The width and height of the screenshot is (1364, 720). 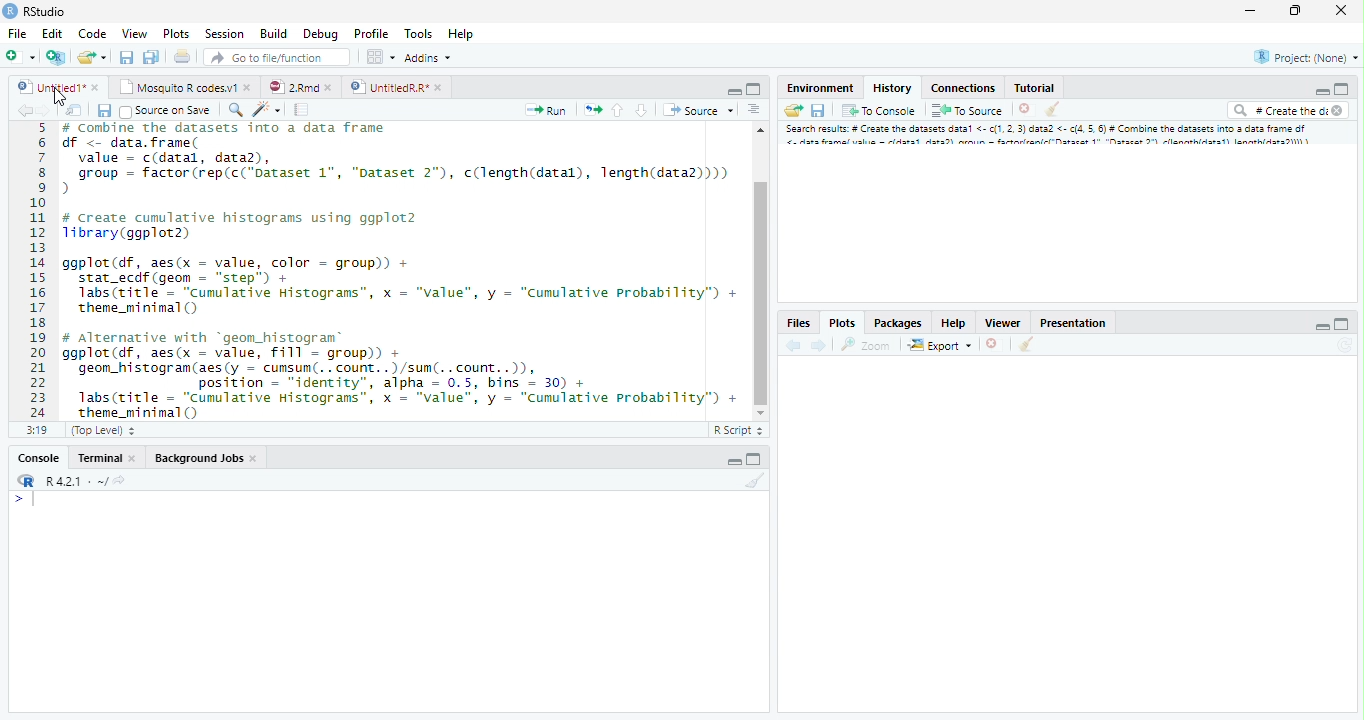 What do you see at coordinates (892, 87) in the screenshot?
I see `History` at bounding box center [892, 87].